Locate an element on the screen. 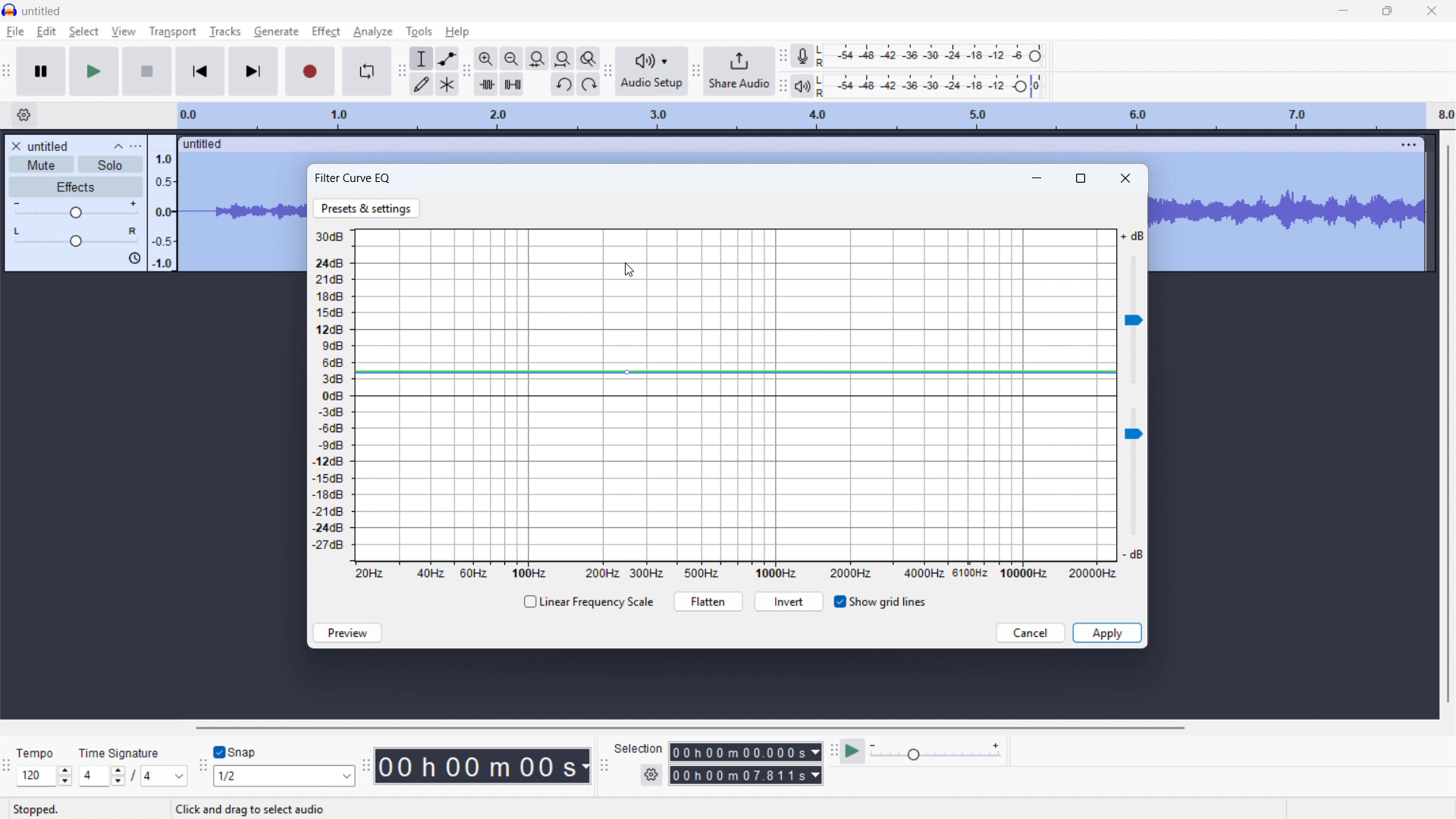 Image resolution: width=1456 pixels, height=819 pixels. Toggle snap  is located at coordinates (236, 752).